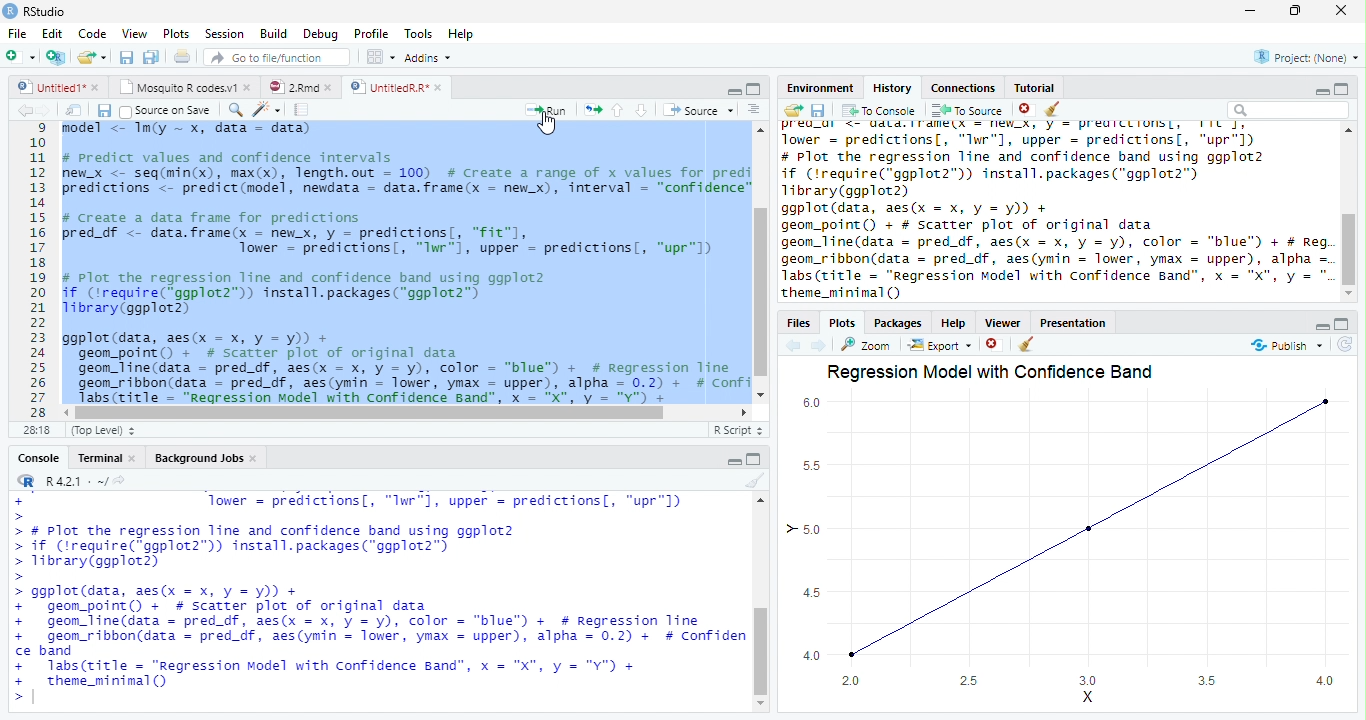  What do you see at coordinates (1321, 93) in the screenshot?
I see `Minimize` at bounding box center [1321, 93].